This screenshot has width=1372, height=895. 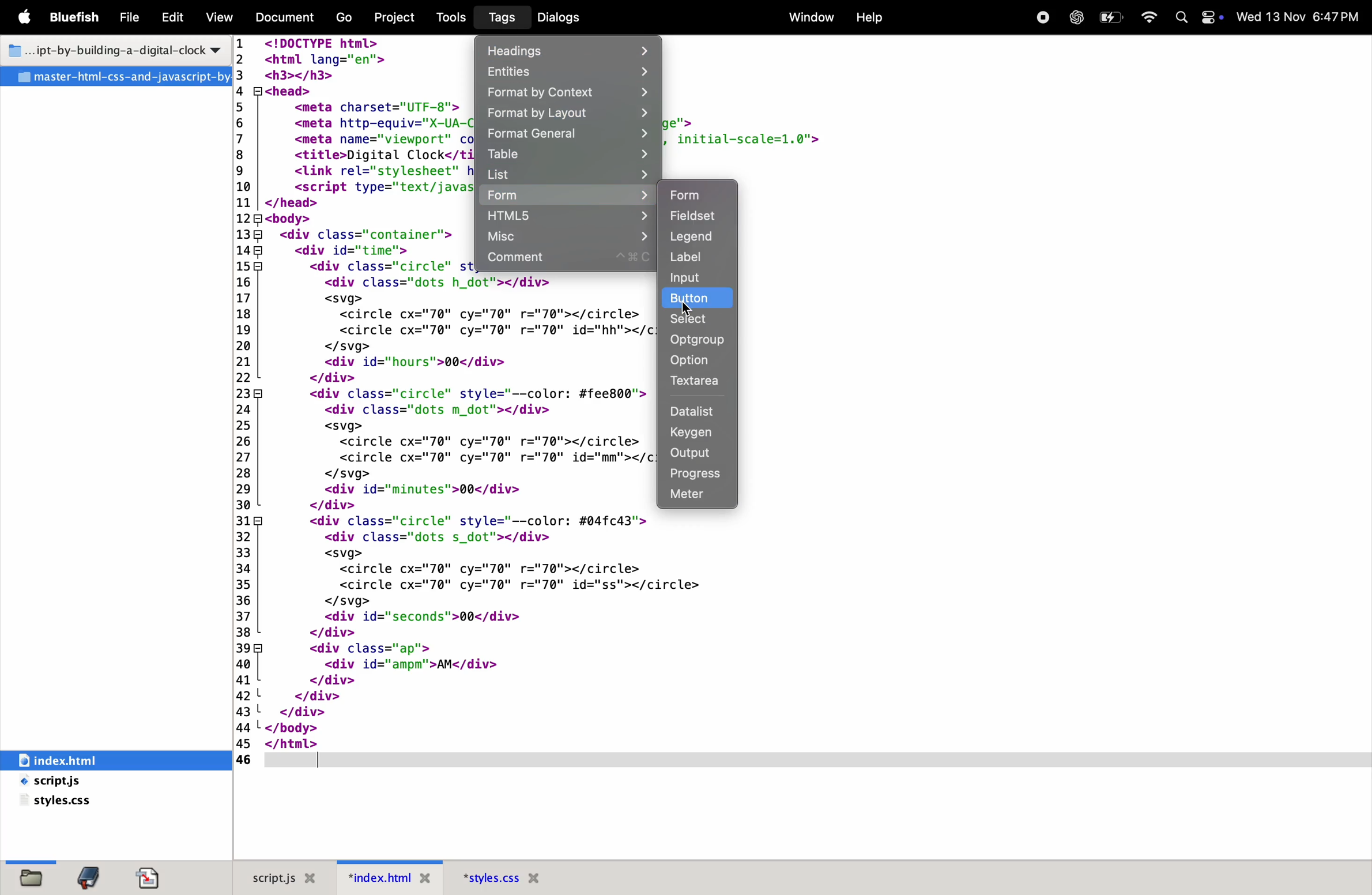 I want to click on File, so click(x=119, y=77).